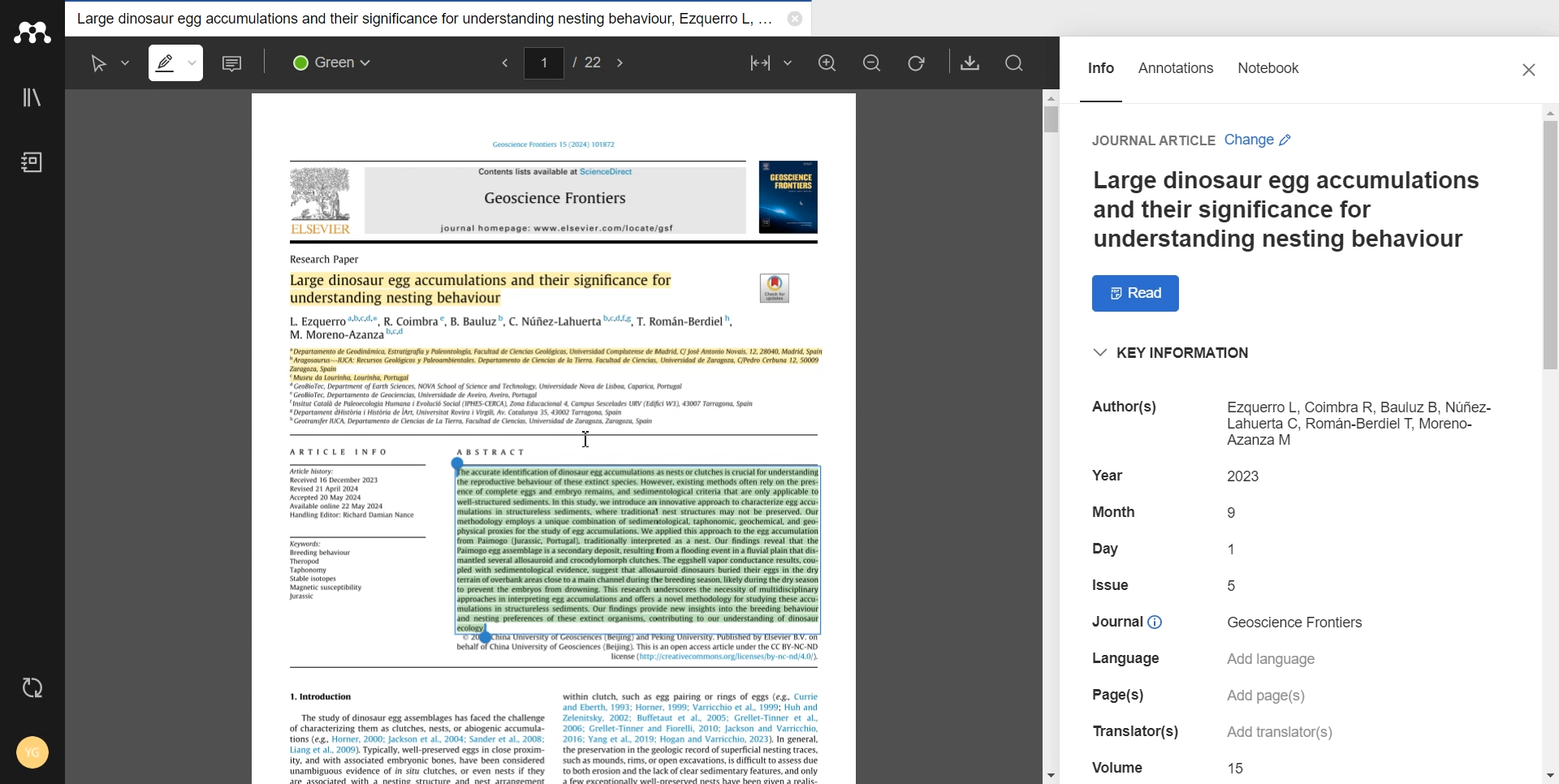 The height and width of the screenshot is (784, 1559). What do you see at coordinates (637, 545) in the screenshot?
I see `Highlighted Text` at bounding box center [637, 545].